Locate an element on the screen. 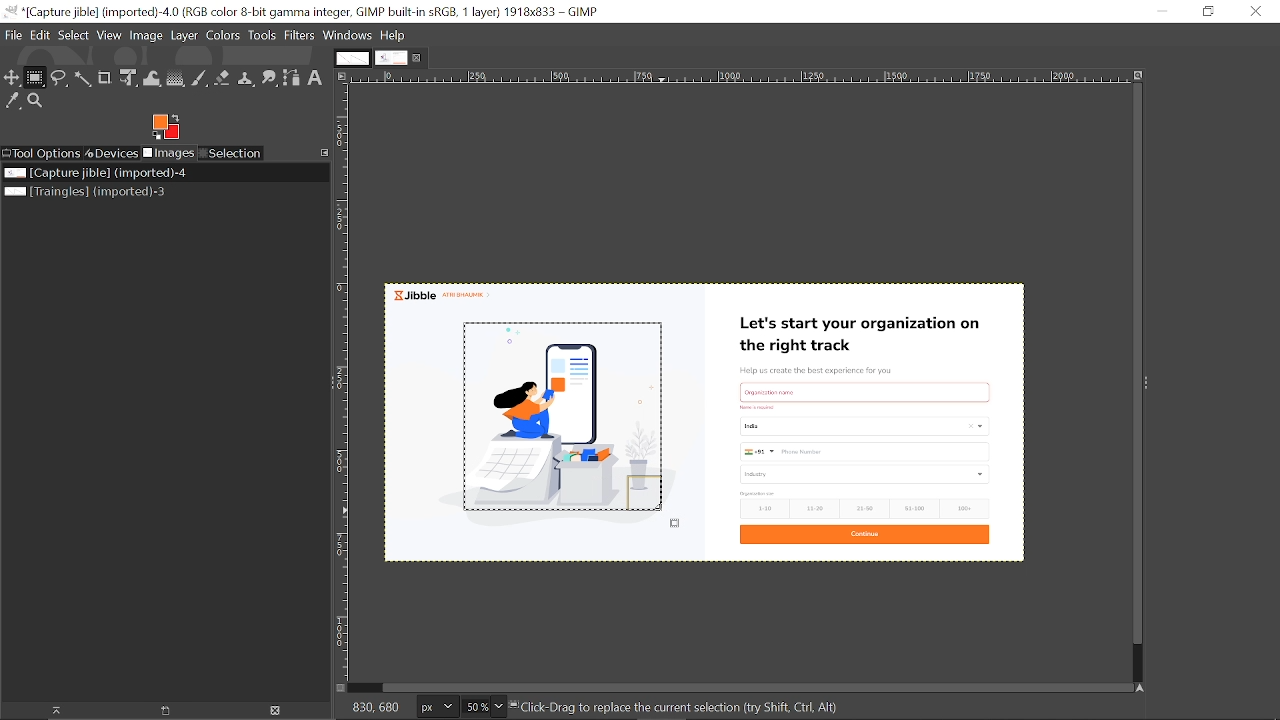  Move tool is located at coordinates (13, 78).